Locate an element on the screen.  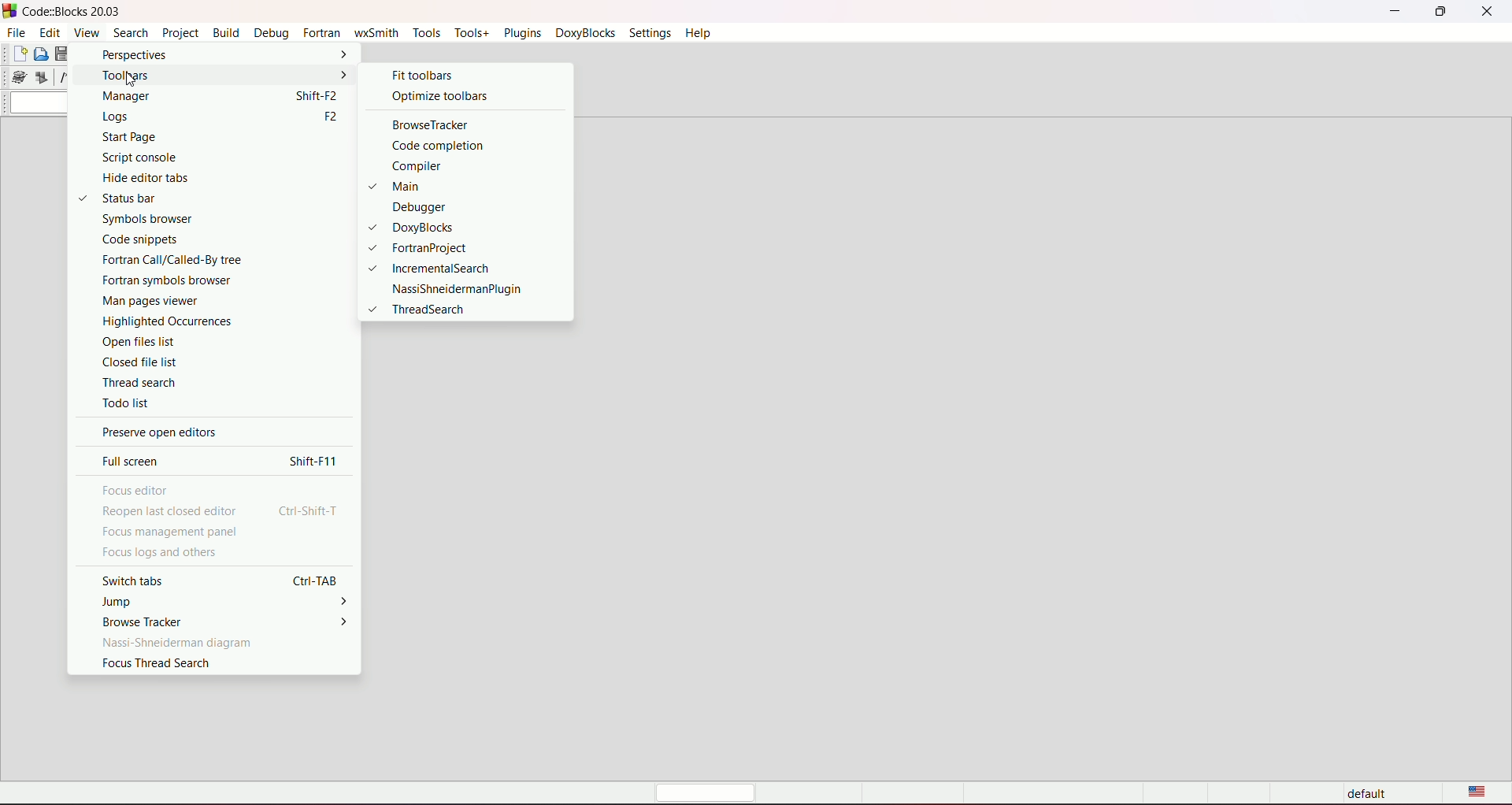
switch tabs is located at coordinates (135, 581).